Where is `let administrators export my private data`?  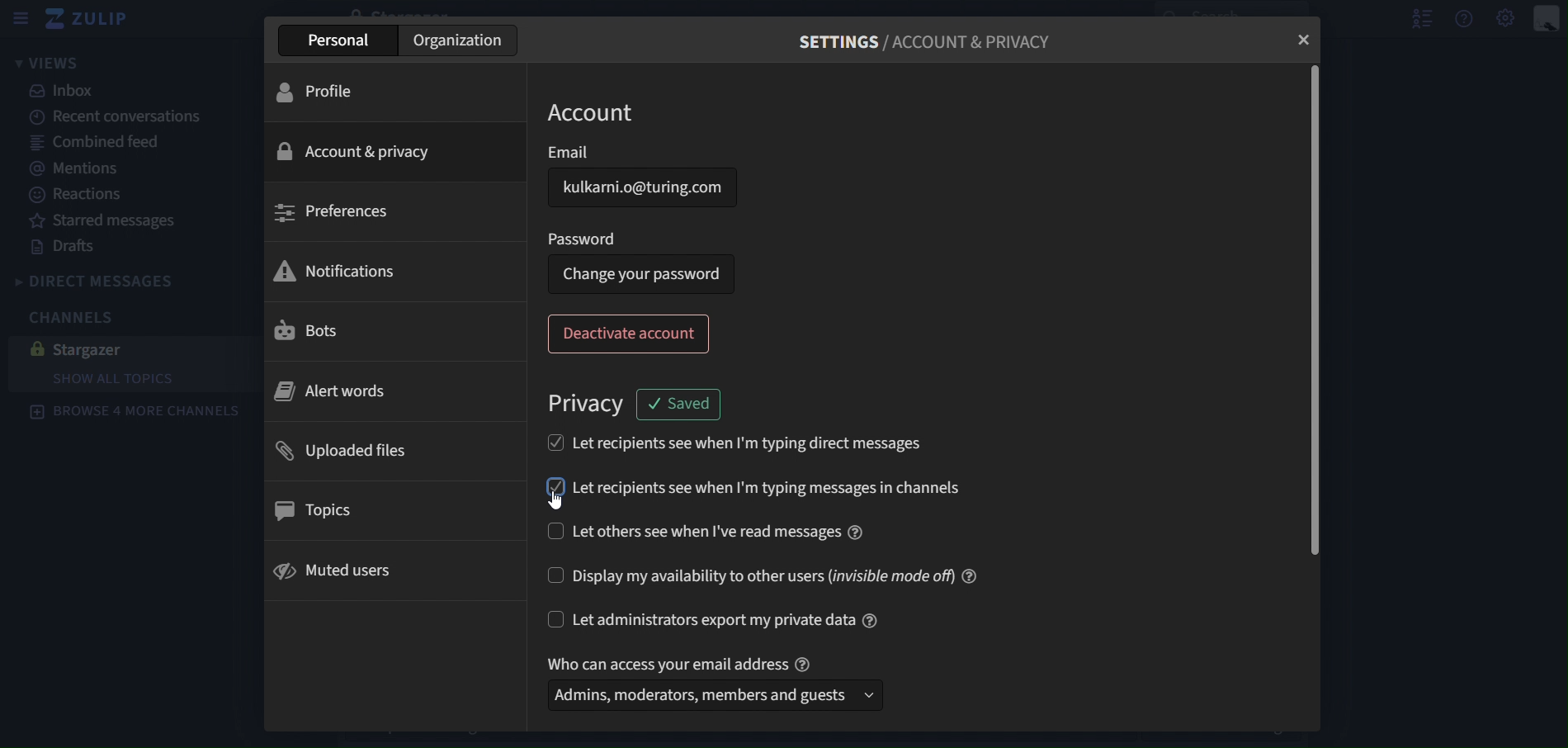 let administrators export my private data is located at coordinates (710, 621).